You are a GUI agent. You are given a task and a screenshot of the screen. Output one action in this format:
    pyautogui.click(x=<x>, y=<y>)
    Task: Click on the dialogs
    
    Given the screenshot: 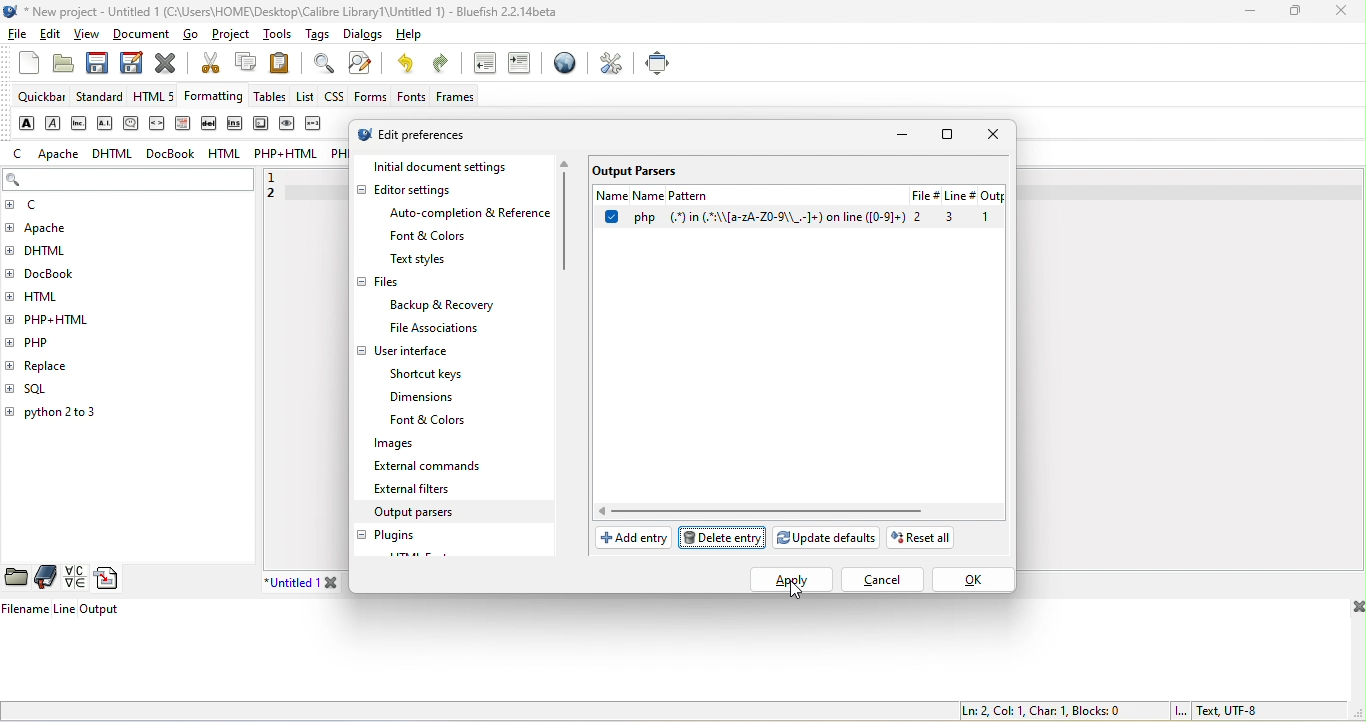 What is the action you would take?
    pyautogui.click(x=359, y=36)
    